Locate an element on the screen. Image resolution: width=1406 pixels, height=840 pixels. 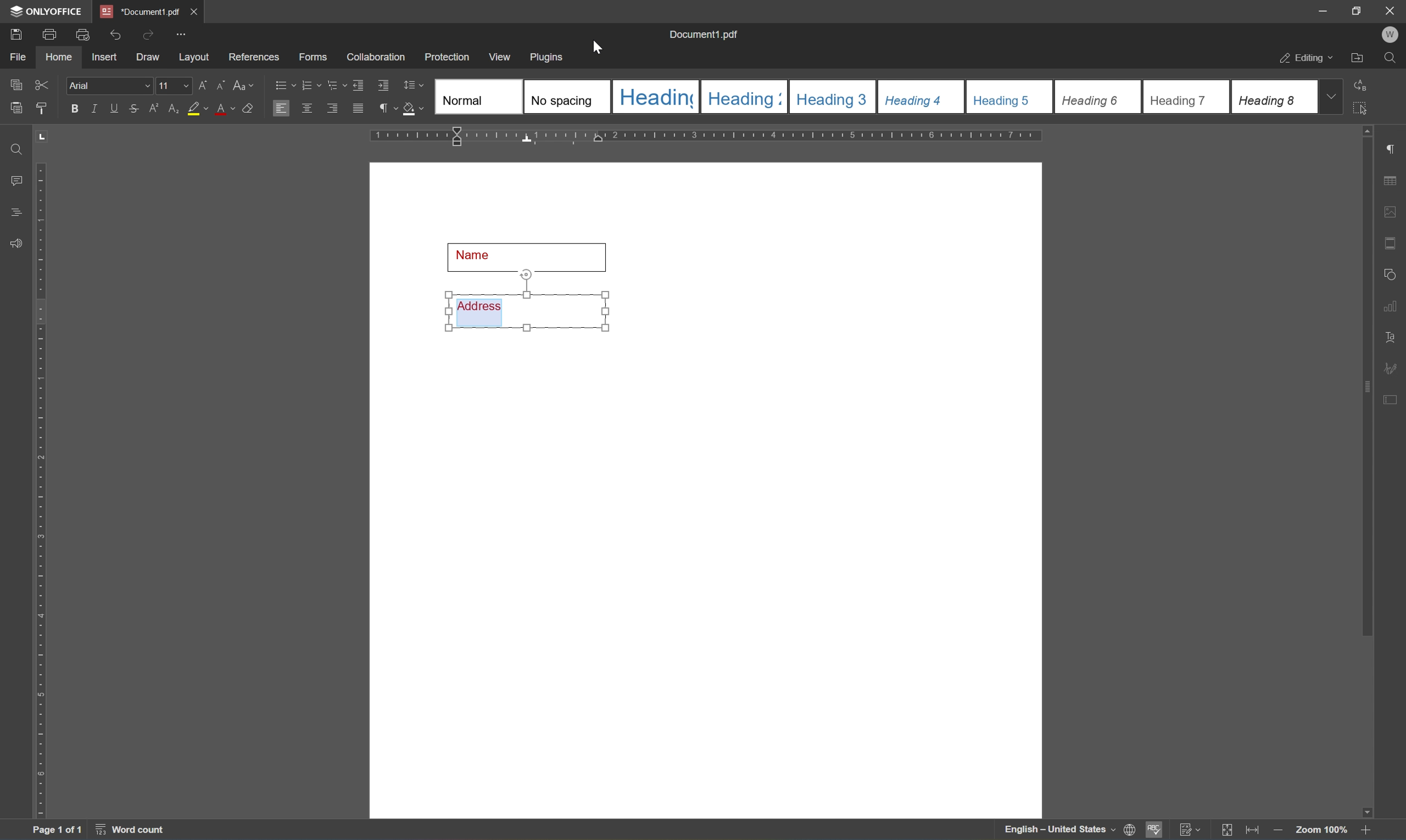
highlight color is located at coordinates (197, 109).